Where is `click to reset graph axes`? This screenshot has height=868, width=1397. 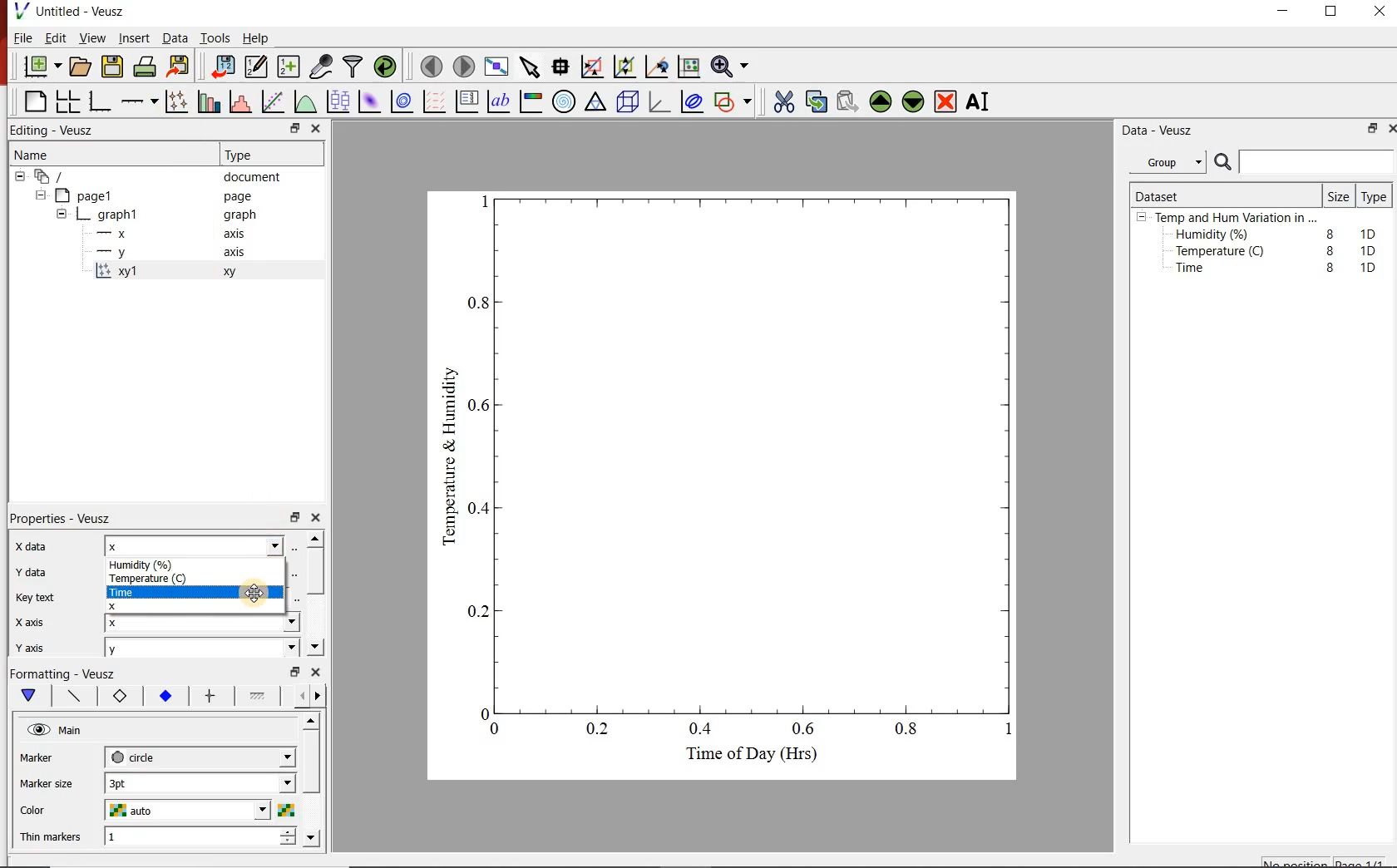 click to reset graph axes is located at coordinates (686, 67).